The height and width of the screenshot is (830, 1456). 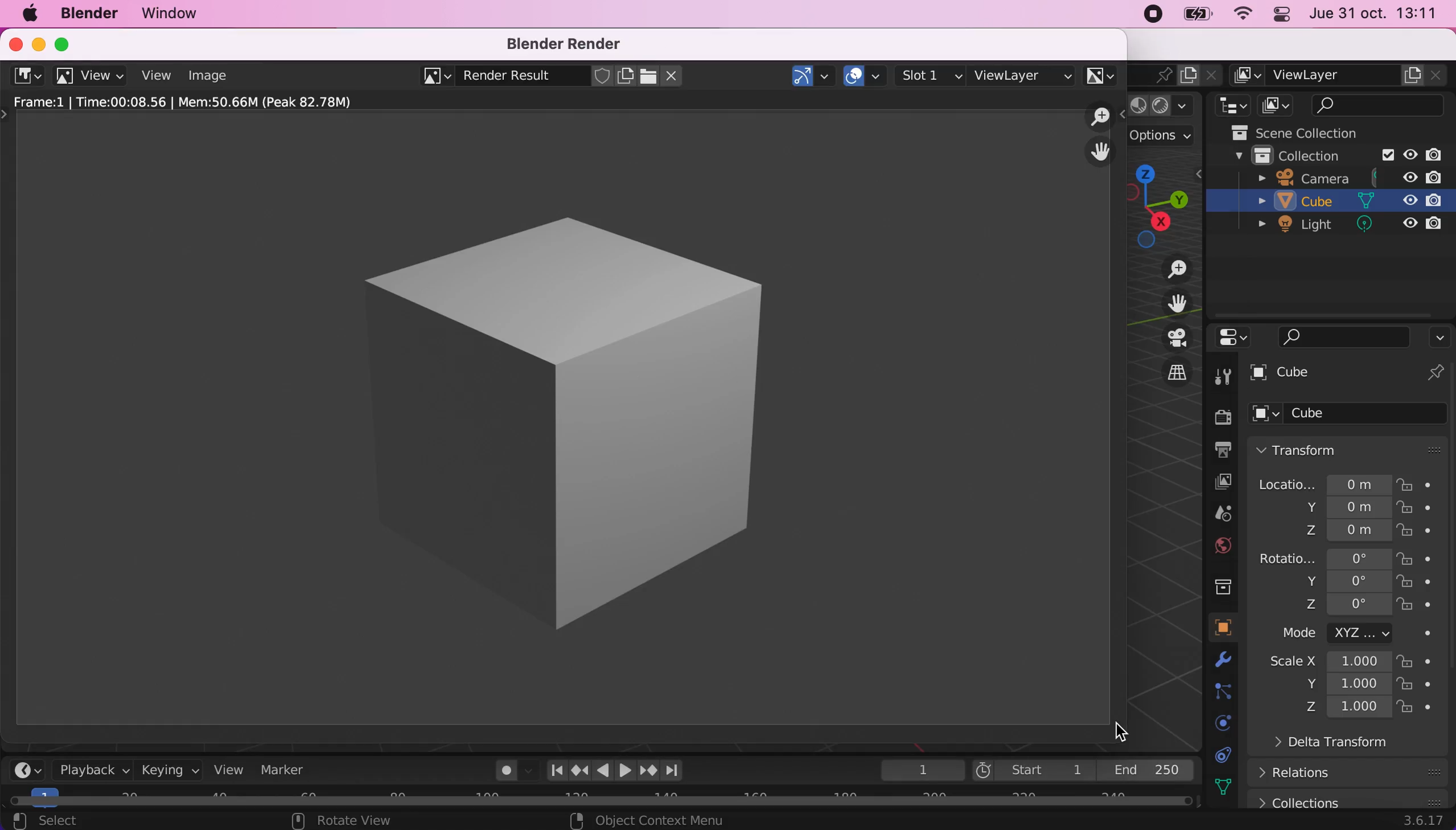 I want to click on render result, so click(x=507, y=78).